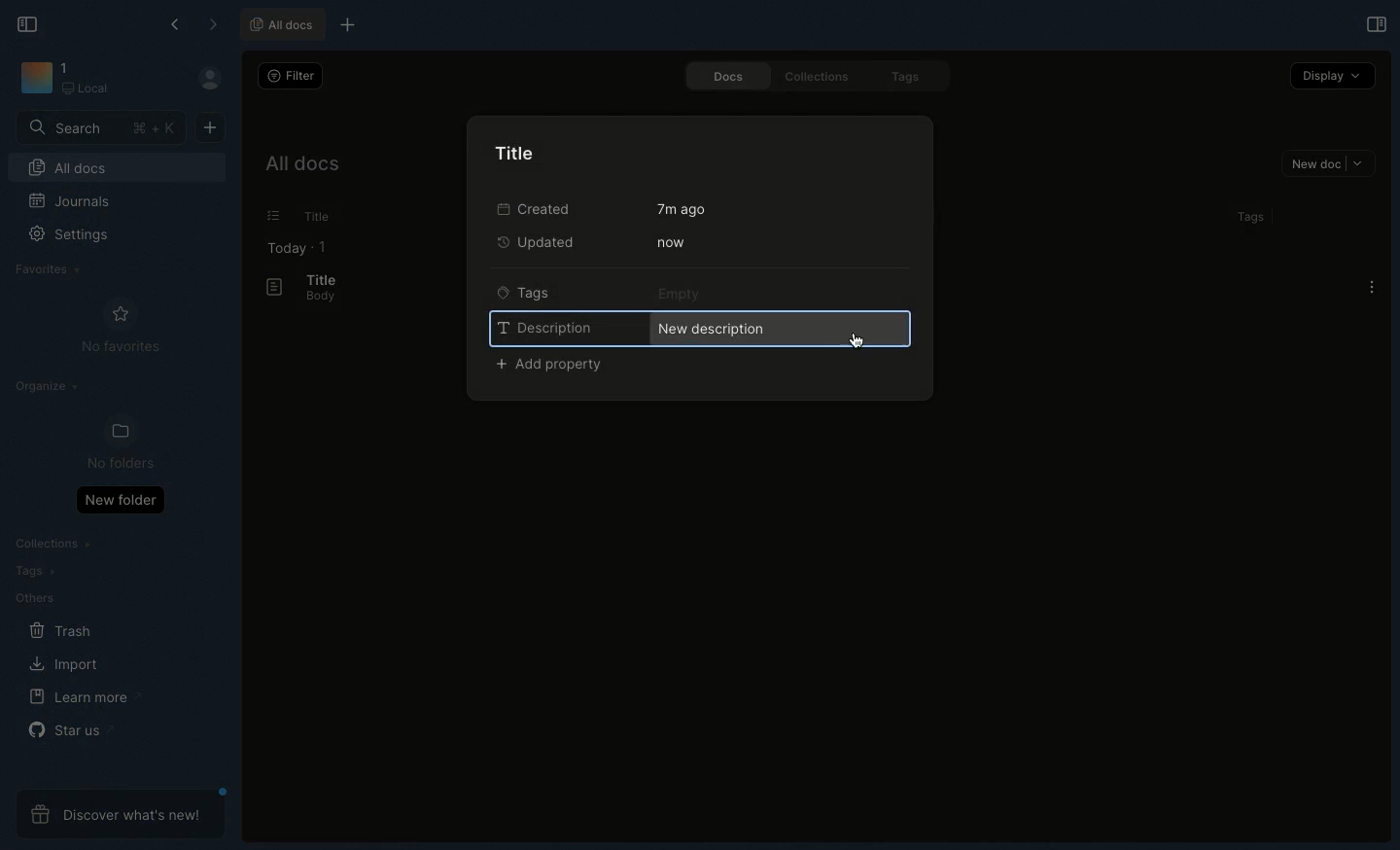  Describe the element at coordinates (210, 125) in the screenshot. I see `New doc` at that location.